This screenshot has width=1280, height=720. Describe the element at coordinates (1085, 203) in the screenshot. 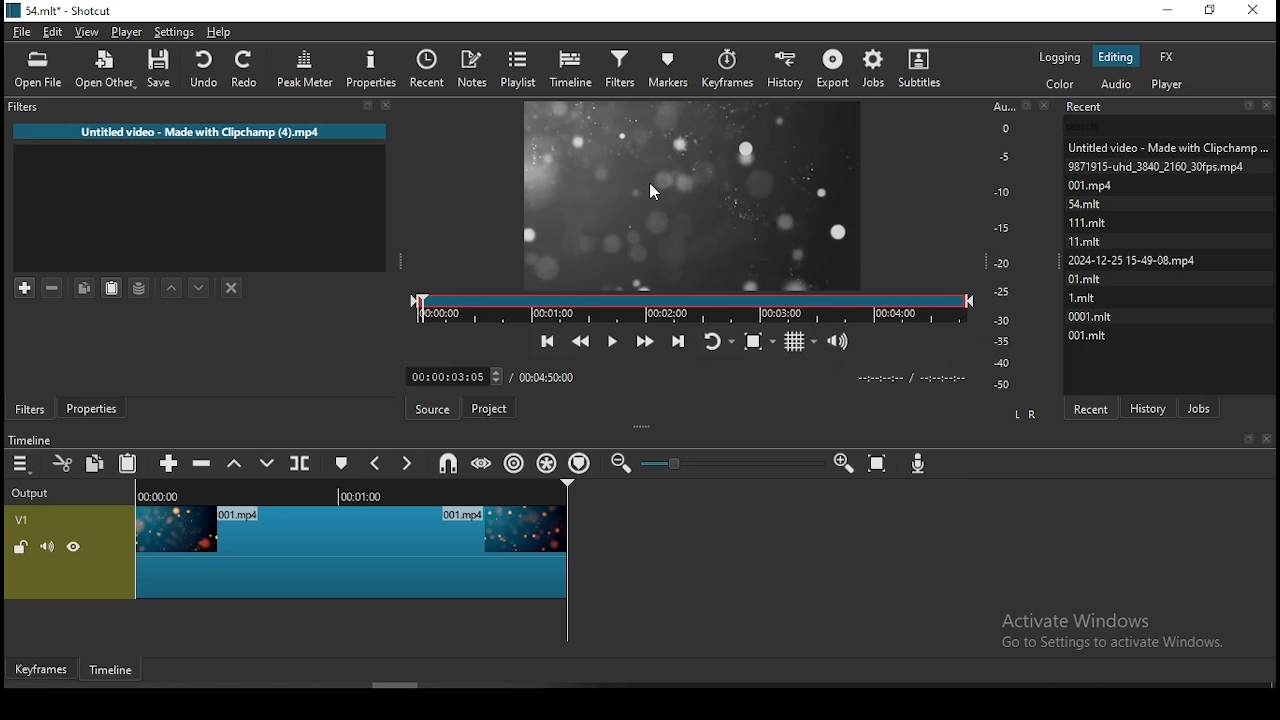

I see `files` at that location.